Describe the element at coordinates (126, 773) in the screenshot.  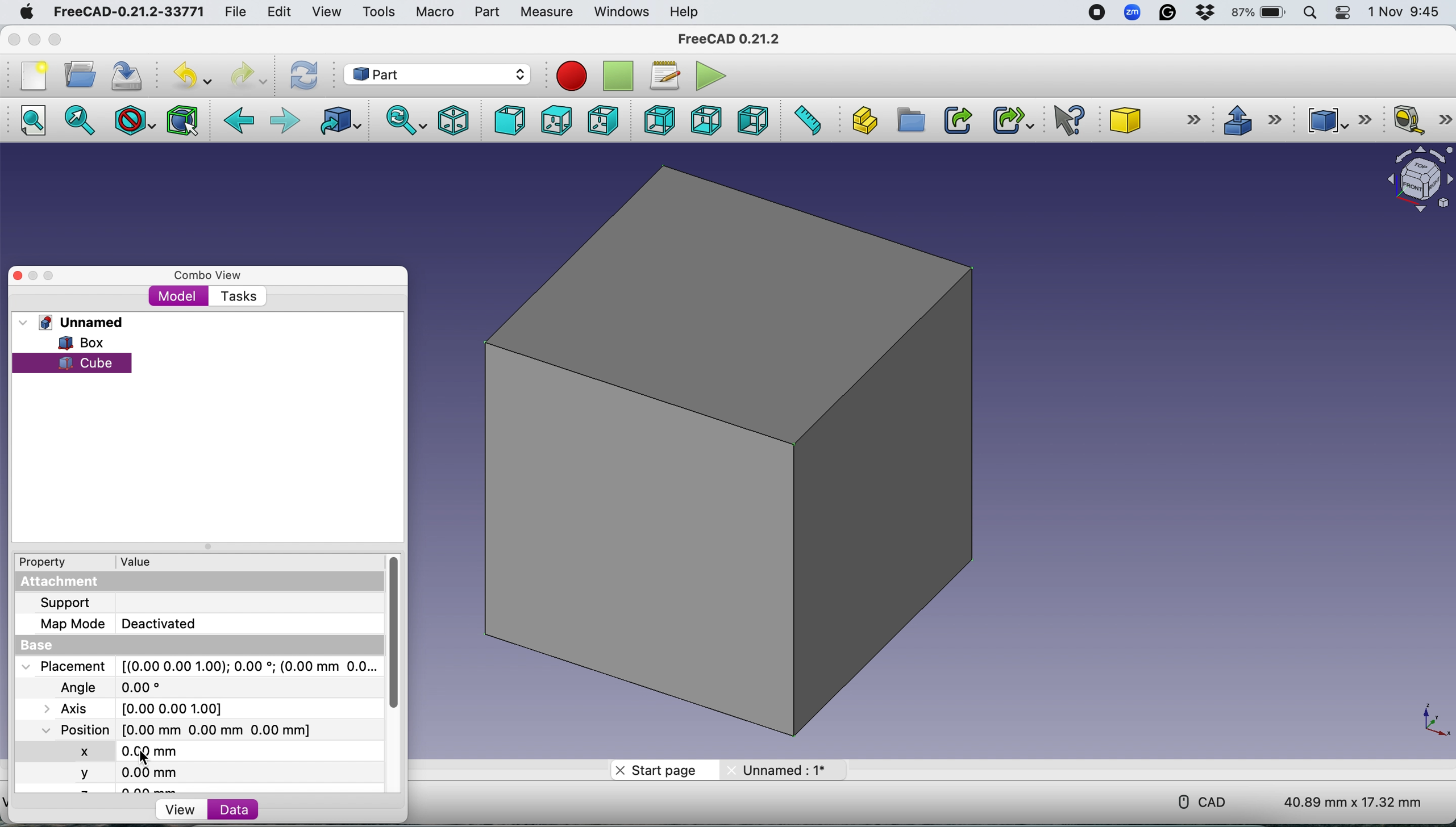
I see `y 0.00 mm` at that location.